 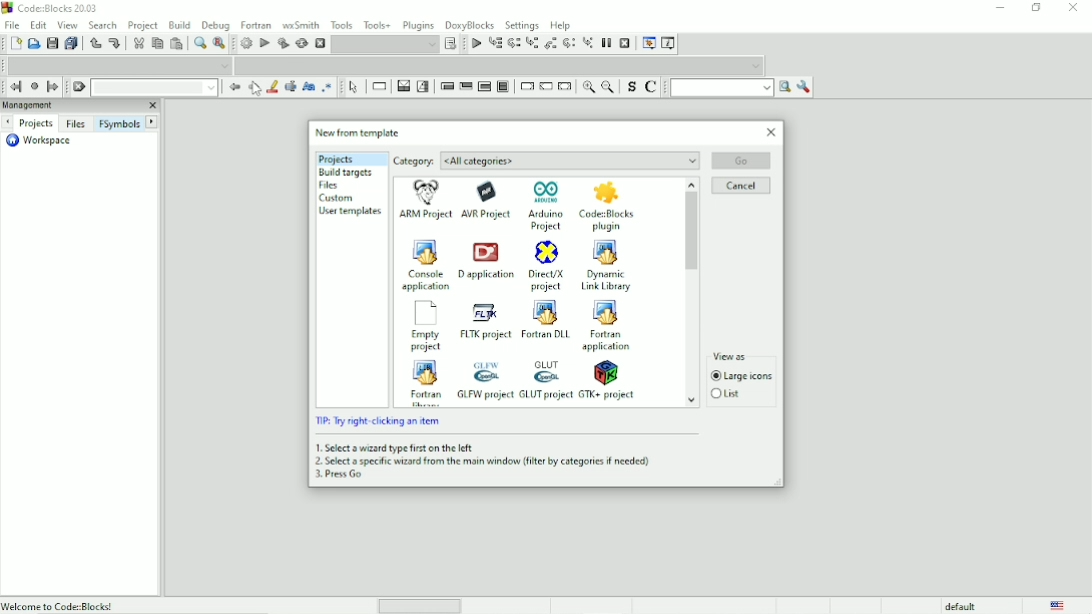 What do you see at coordinates (179, 25) in the screenshot?
I see `Build` at bounding box center [179, 25].